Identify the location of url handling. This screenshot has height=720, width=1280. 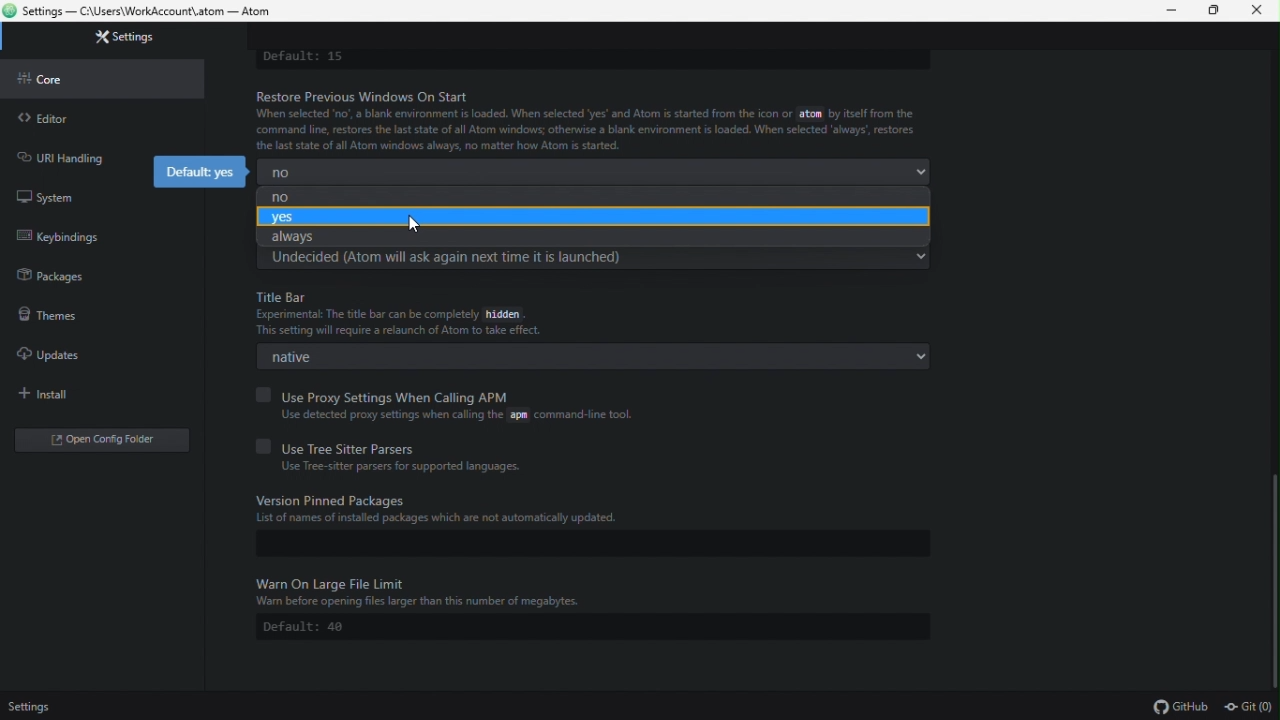
(66, 155).